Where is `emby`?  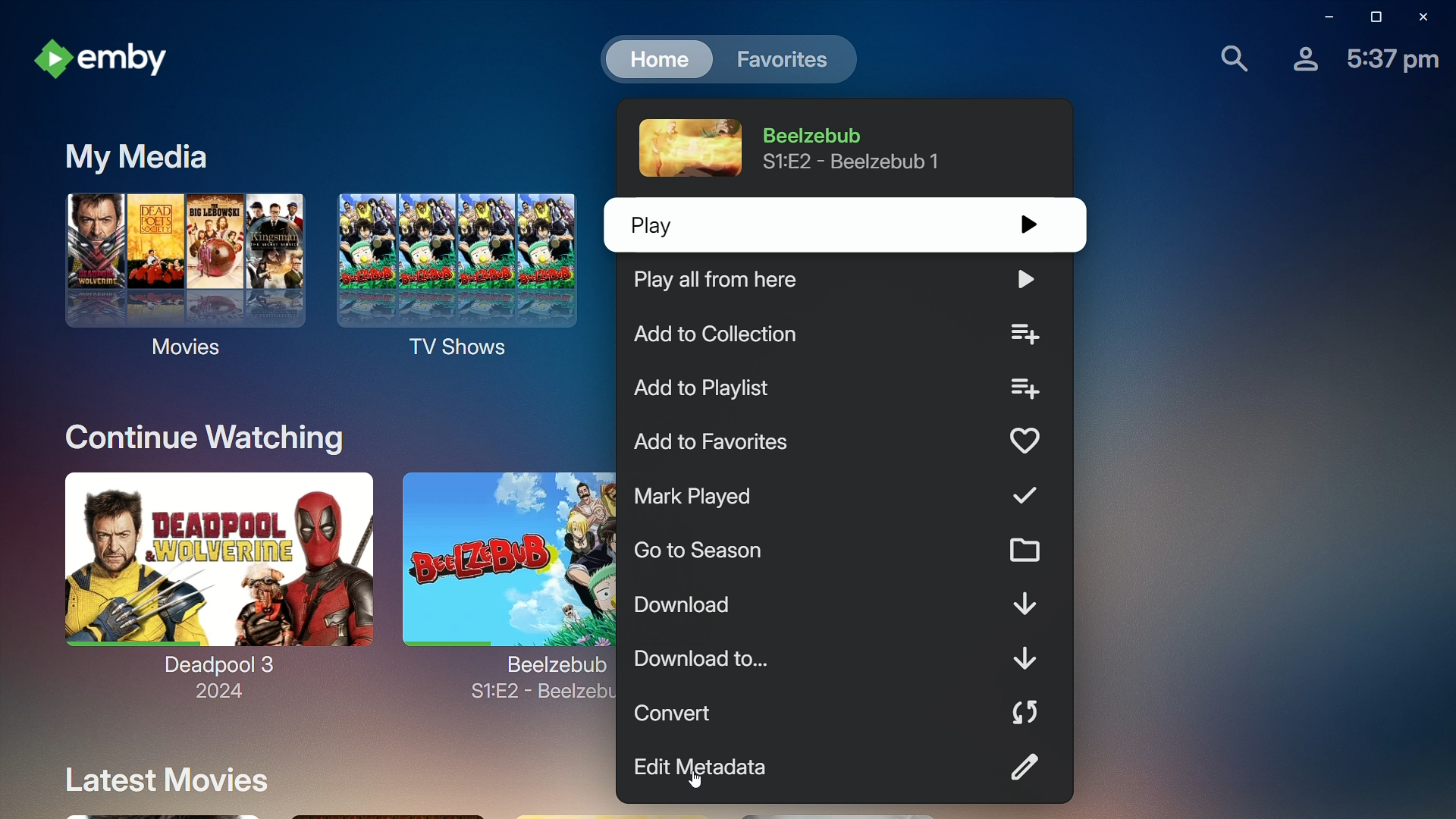 emby is located at coordinates (136, 61).